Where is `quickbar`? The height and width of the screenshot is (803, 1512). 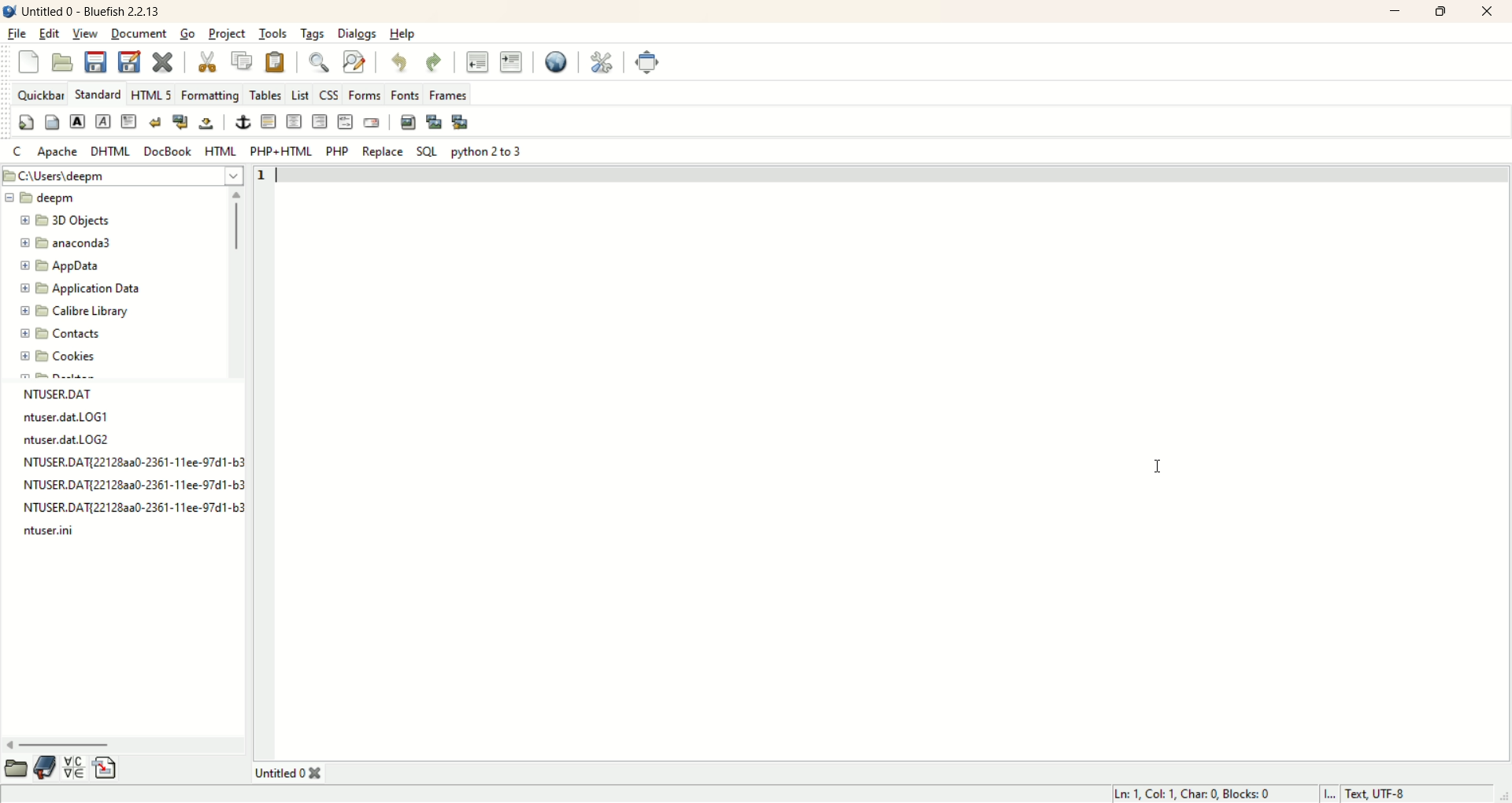
quickbar is located at coordinates (39, 94).